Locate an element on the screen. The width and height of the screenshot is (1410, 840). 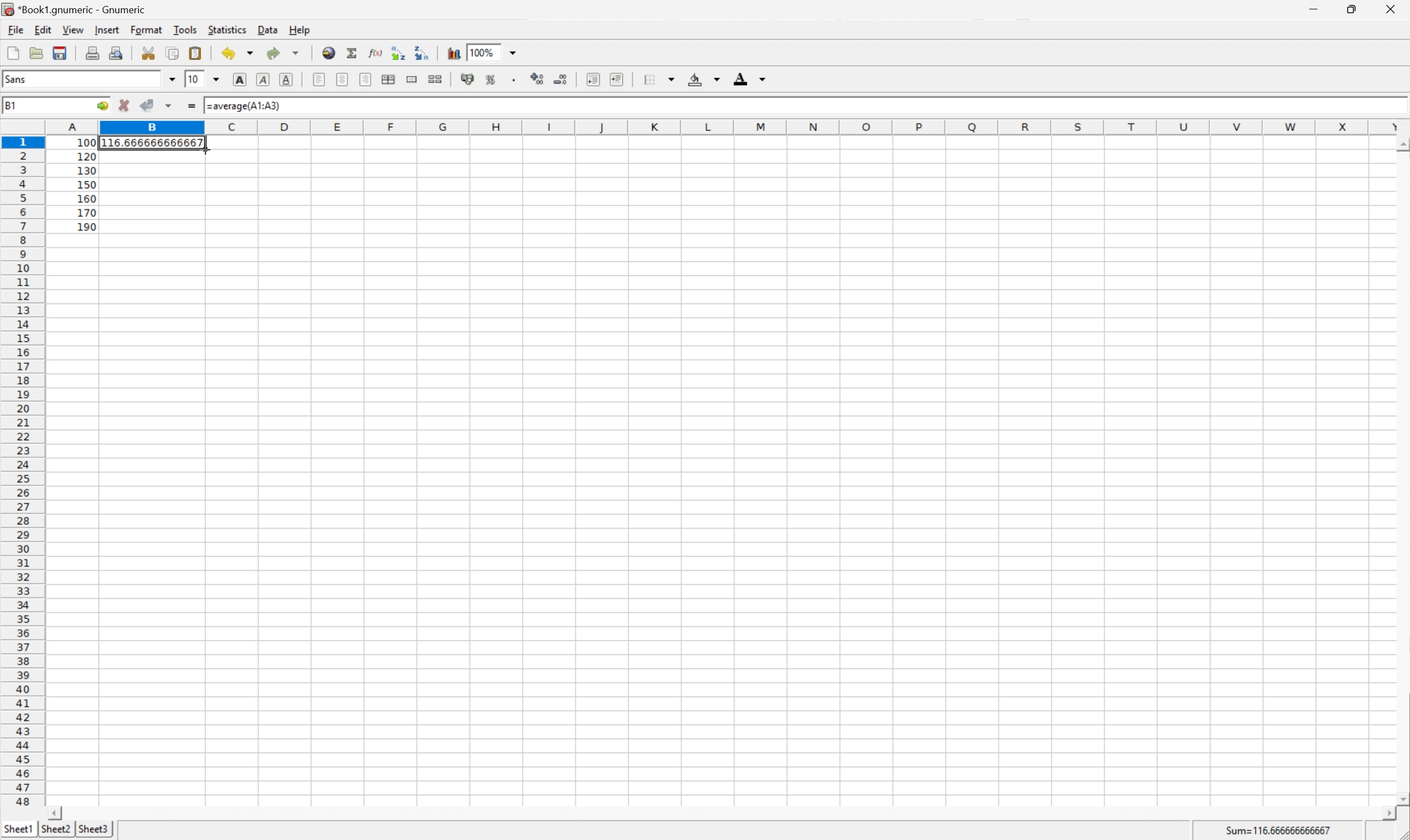
Save current workbook is located at coordinates (63, 53).